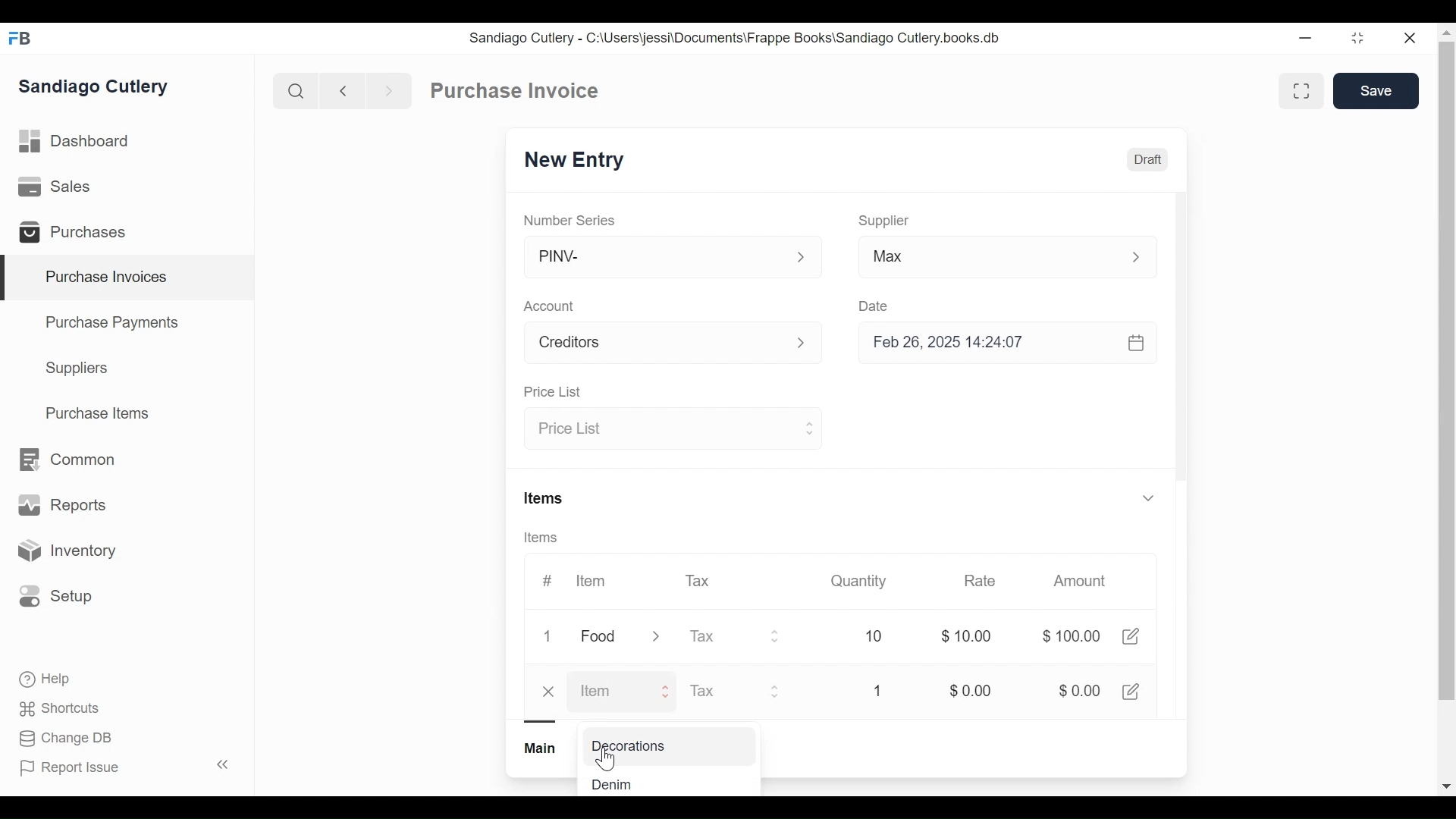 Image resolution: width=1456 pixels, height=819 pixels. What do you see at coordinates (1445, 787) in the screenshot?
I see `Scroll down` at bounding box center [1445, 787].